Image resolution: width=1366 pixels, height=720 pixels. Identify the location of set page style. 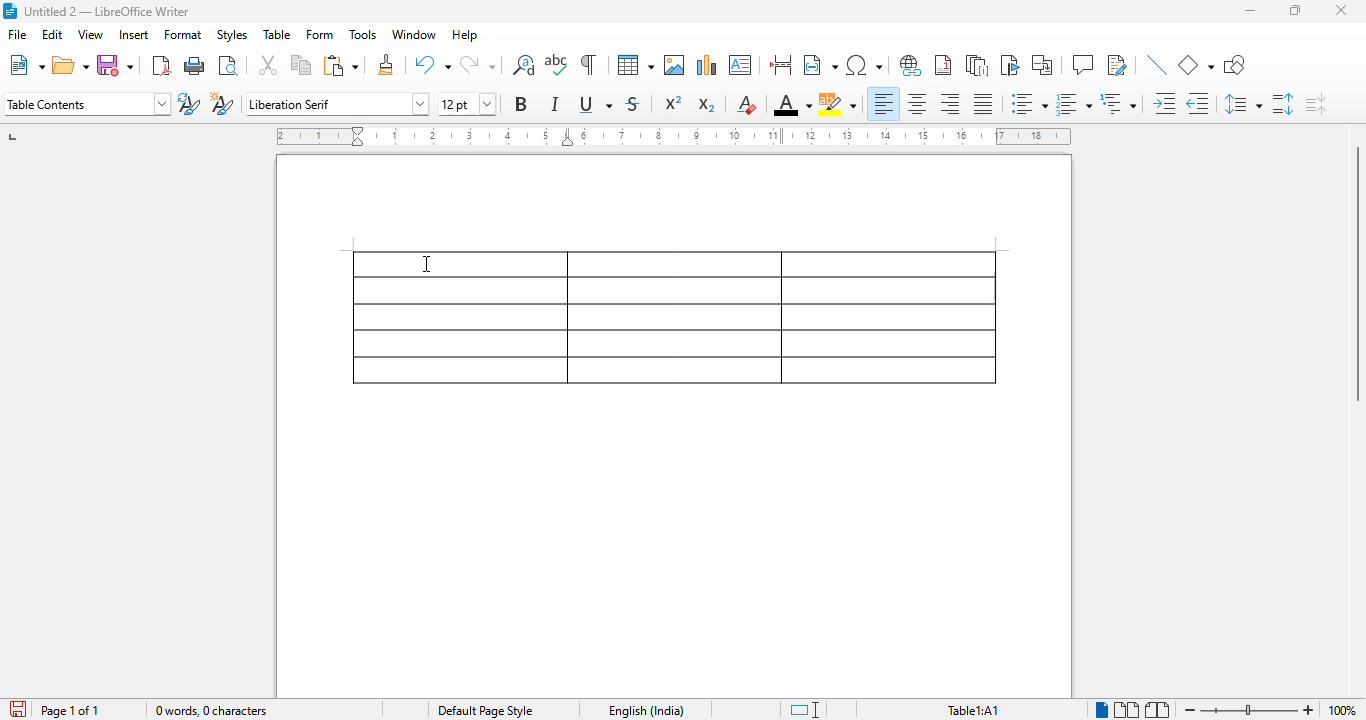
(88, 104).